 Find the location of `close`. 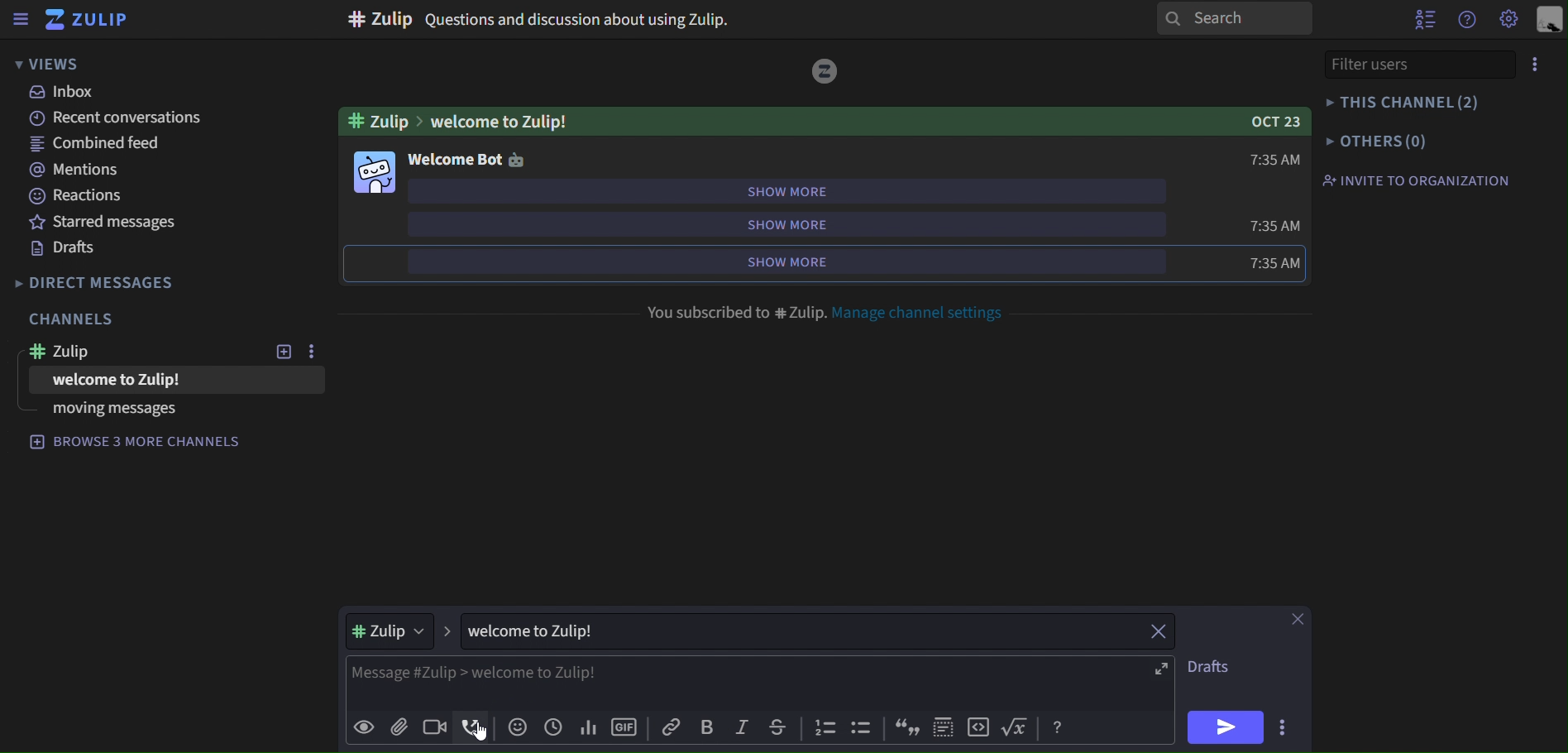

close is located at coordinates (1156, 631).